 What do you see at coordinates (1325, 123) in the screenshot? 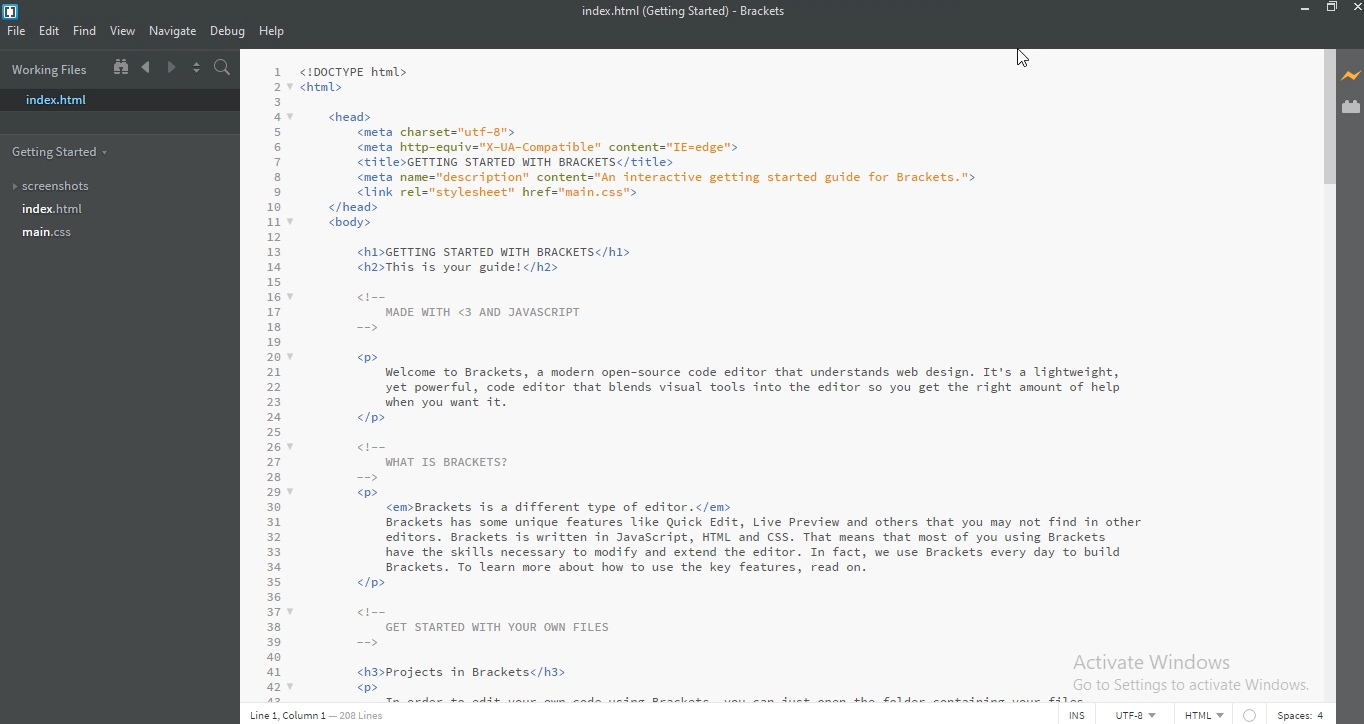
I see `scroll bar` at bounding box center [1325, 123].